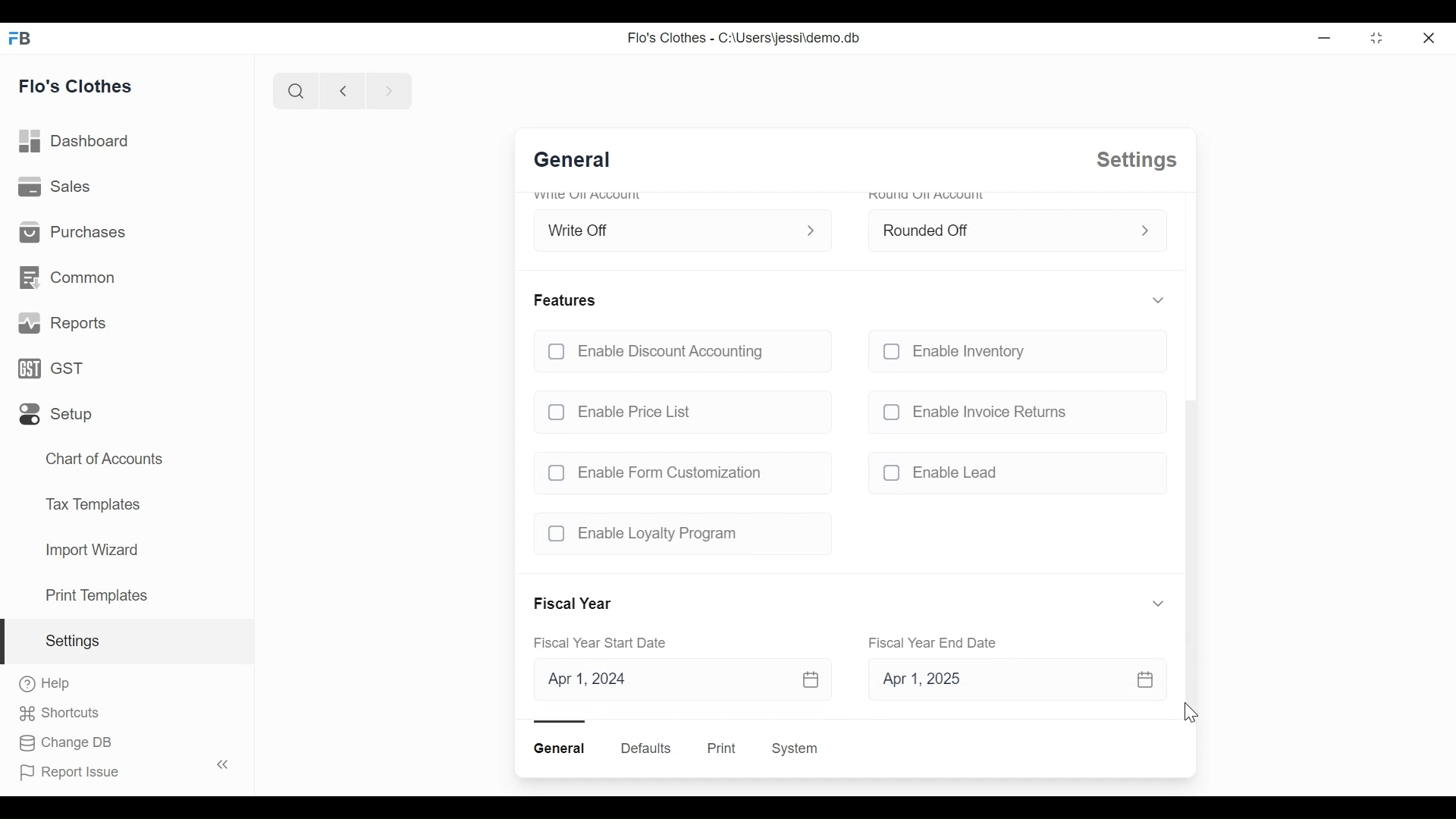 The width and height of the screenshot is (1456, 819). I want to click on Minimize, so click(1322, 37).